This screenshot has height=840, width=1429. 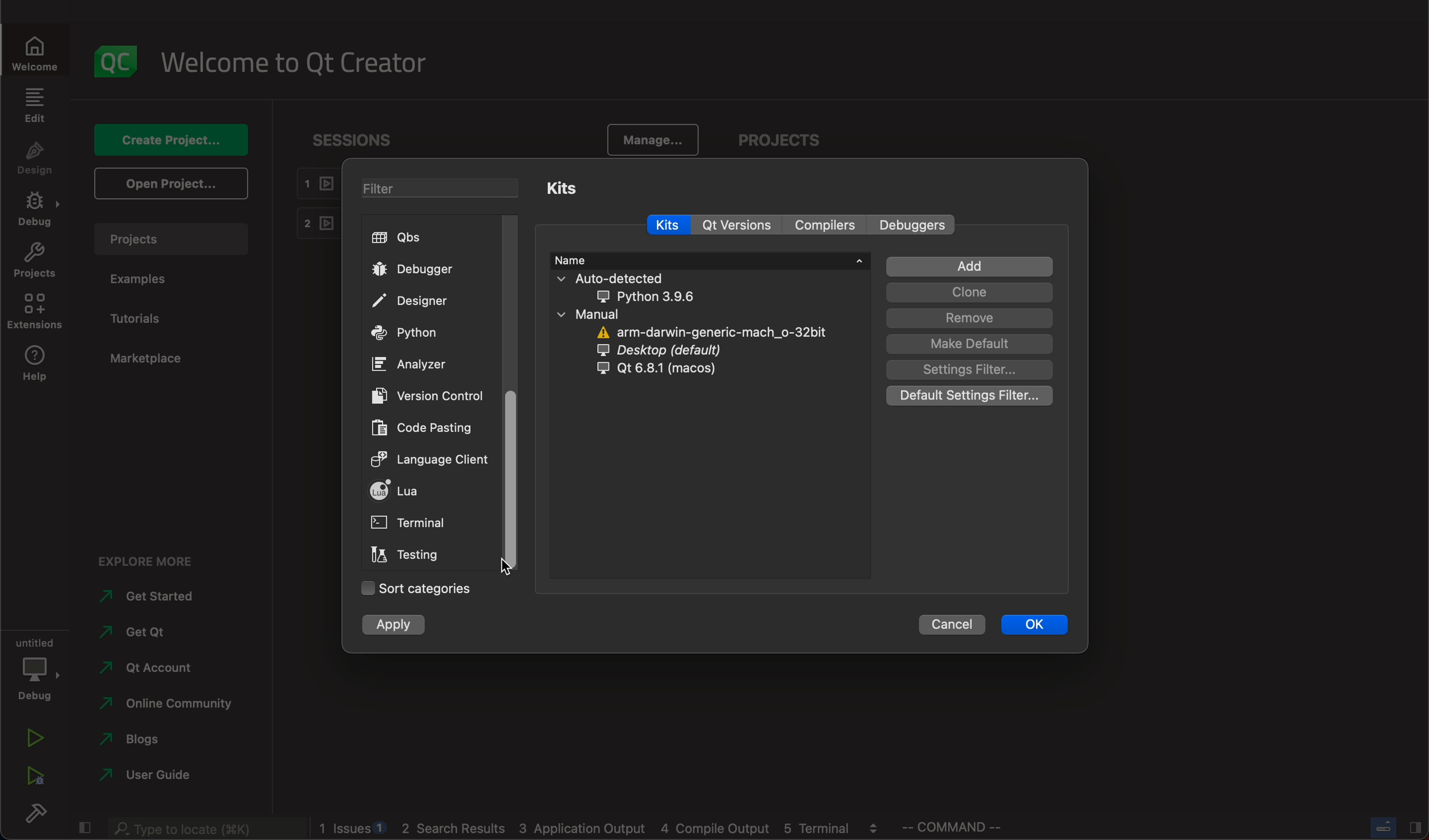 I want to click on add, so click(x=970, y=266).